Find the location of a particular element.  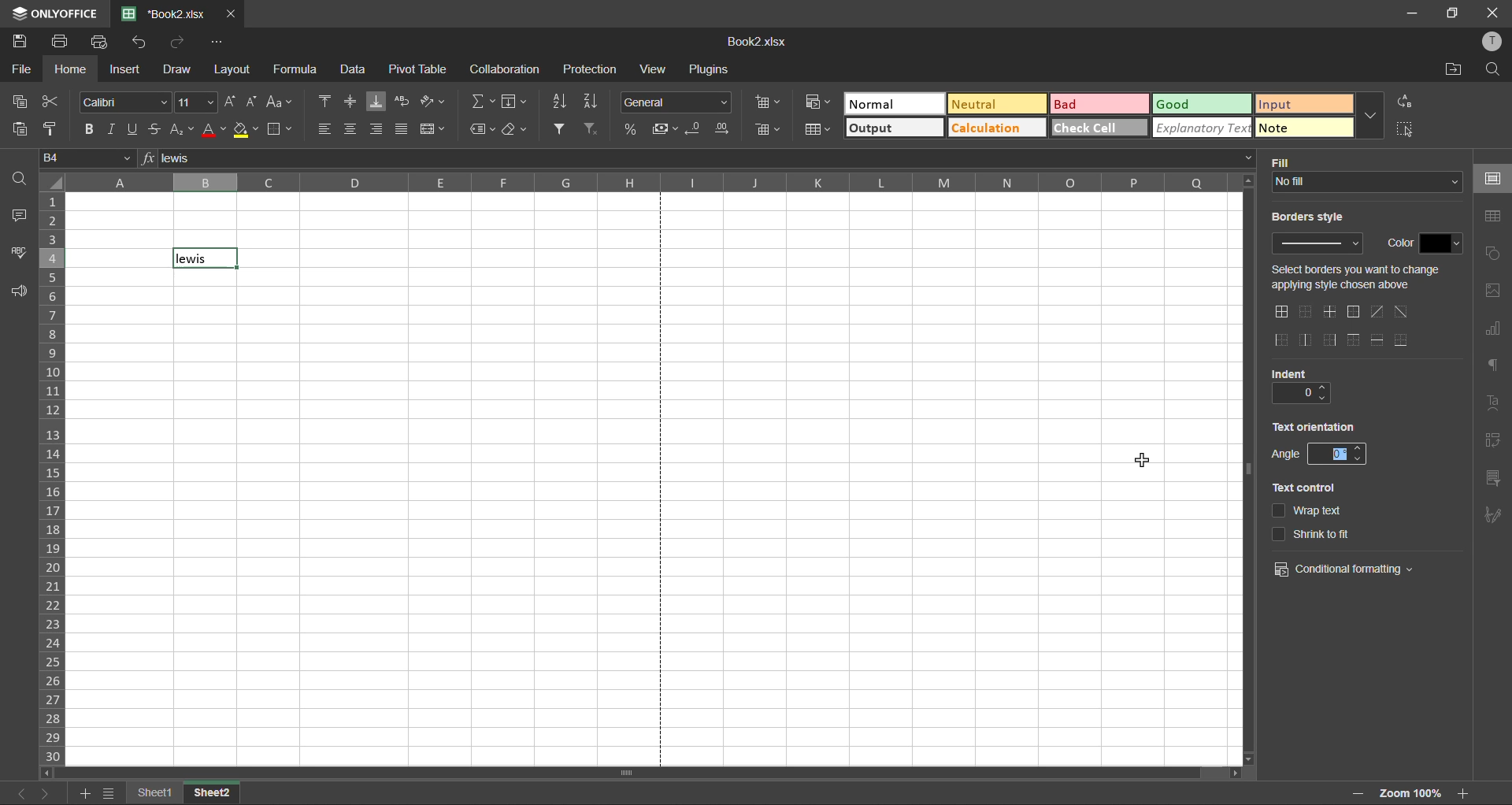

normal is located at coordinates (893, 105).